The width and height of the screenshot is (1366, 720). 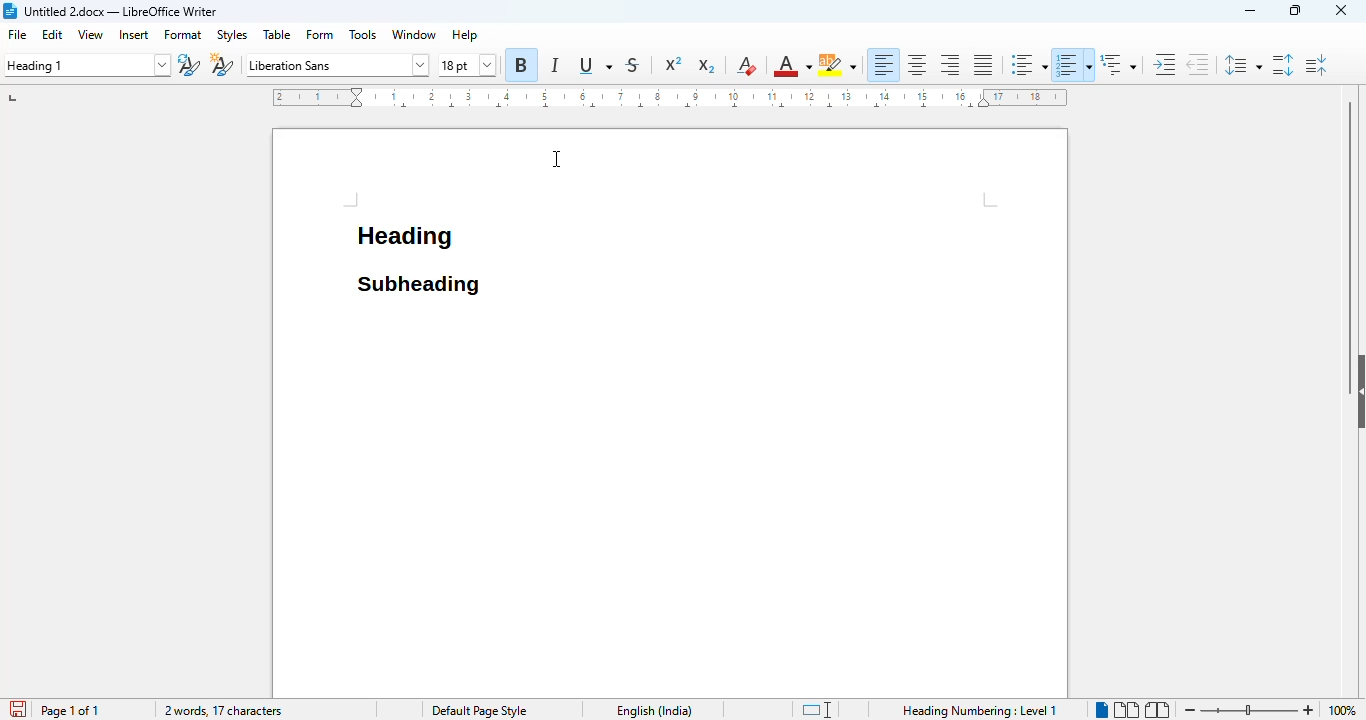 What do you see at coordinates (674, 64) in the screenshot?
I see `superscript` at bounding box center [674, 64].